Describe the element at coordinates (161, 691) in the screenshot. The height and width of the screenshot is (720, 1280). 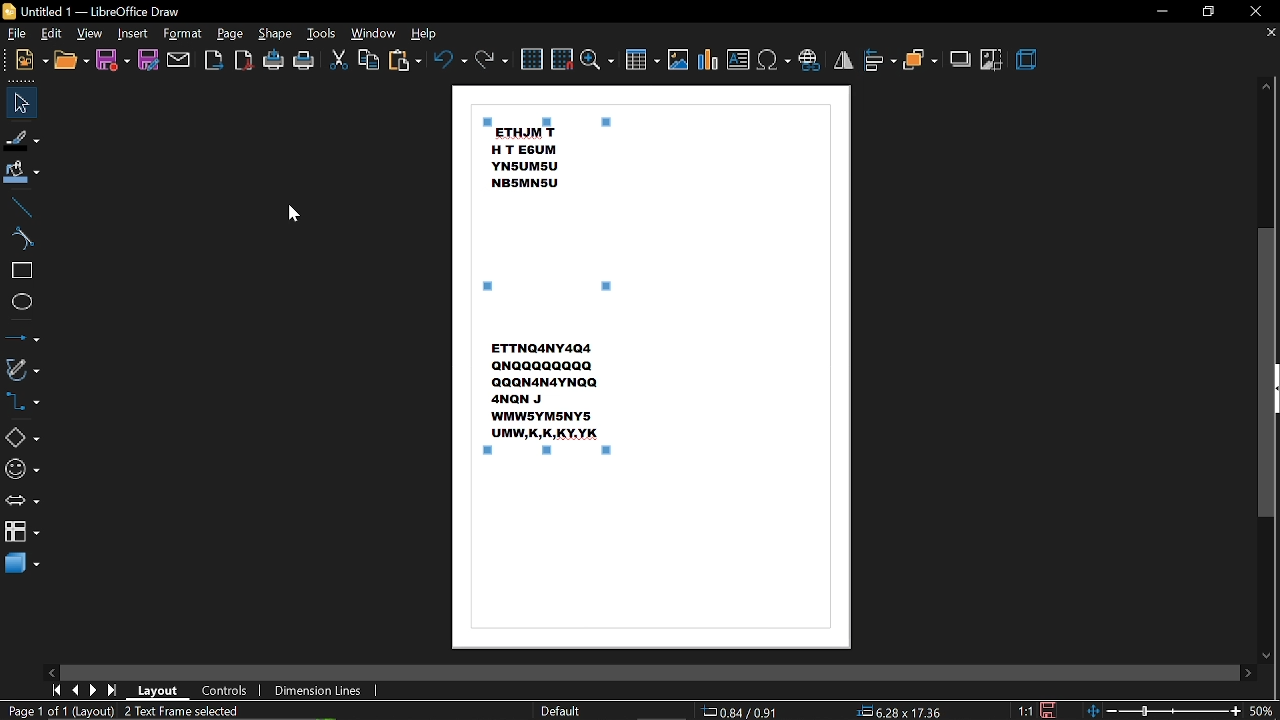
I see `layout` at that location.